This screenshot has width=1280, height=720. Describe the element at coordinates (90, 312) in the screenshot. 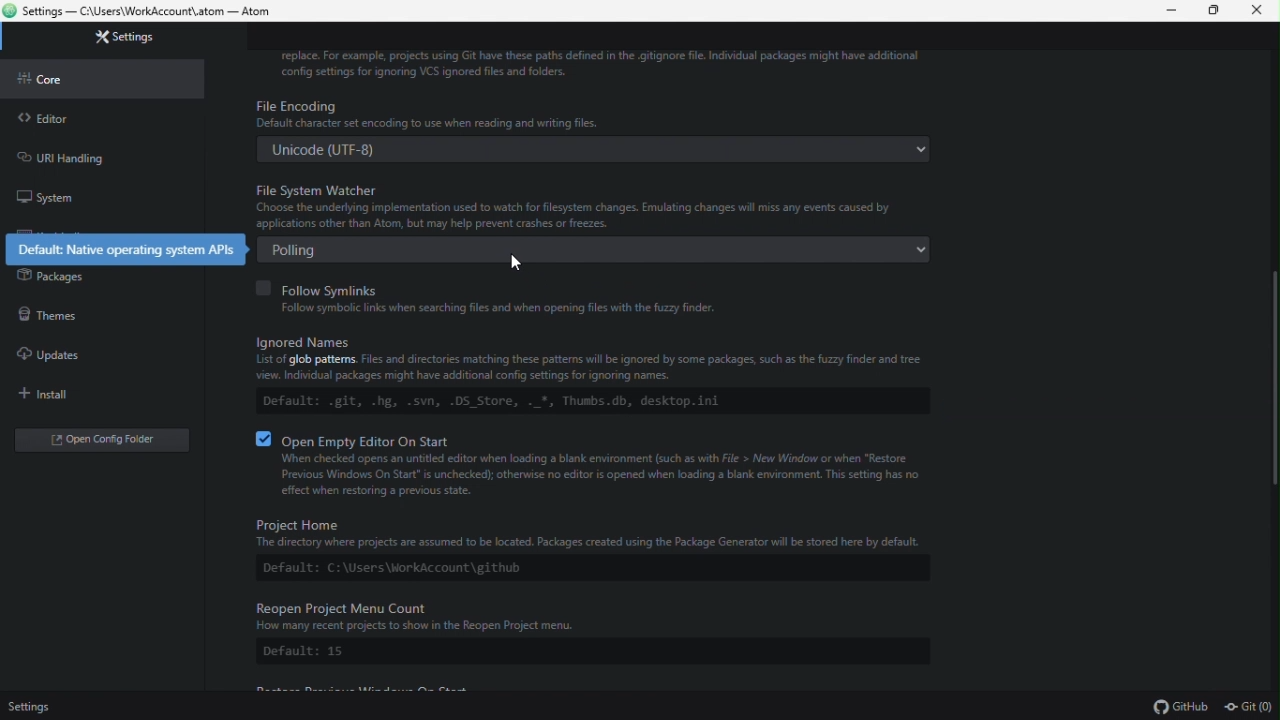

I see `Themes` at that location.